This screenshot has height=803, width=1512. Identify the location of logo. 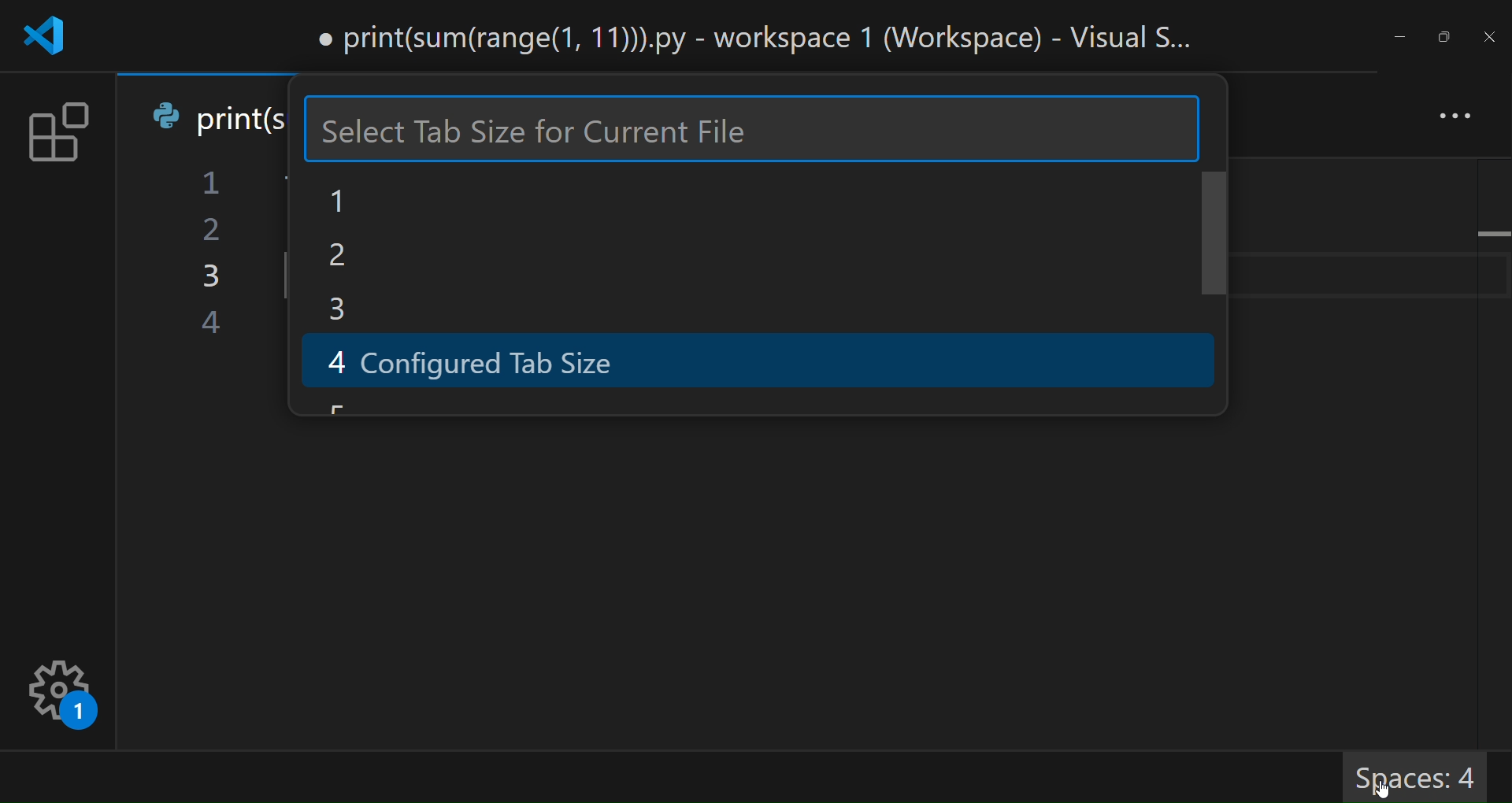
(42, 39).